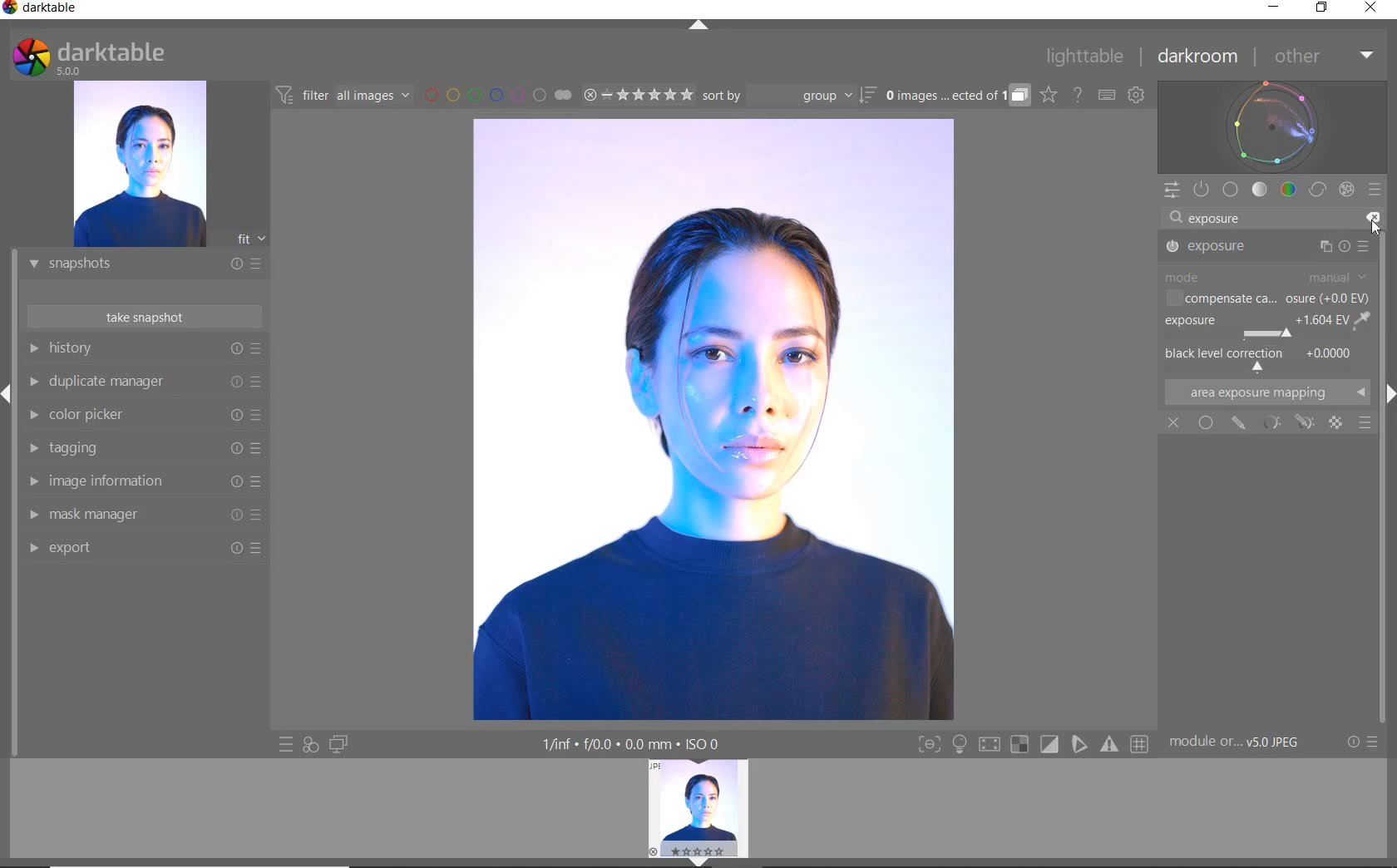 The height and width of the screenshot is (868, 1397). What do you see at coordinates (1111, 744) in the screenshot?
I see `Button` at bounding box center [1111, 744].